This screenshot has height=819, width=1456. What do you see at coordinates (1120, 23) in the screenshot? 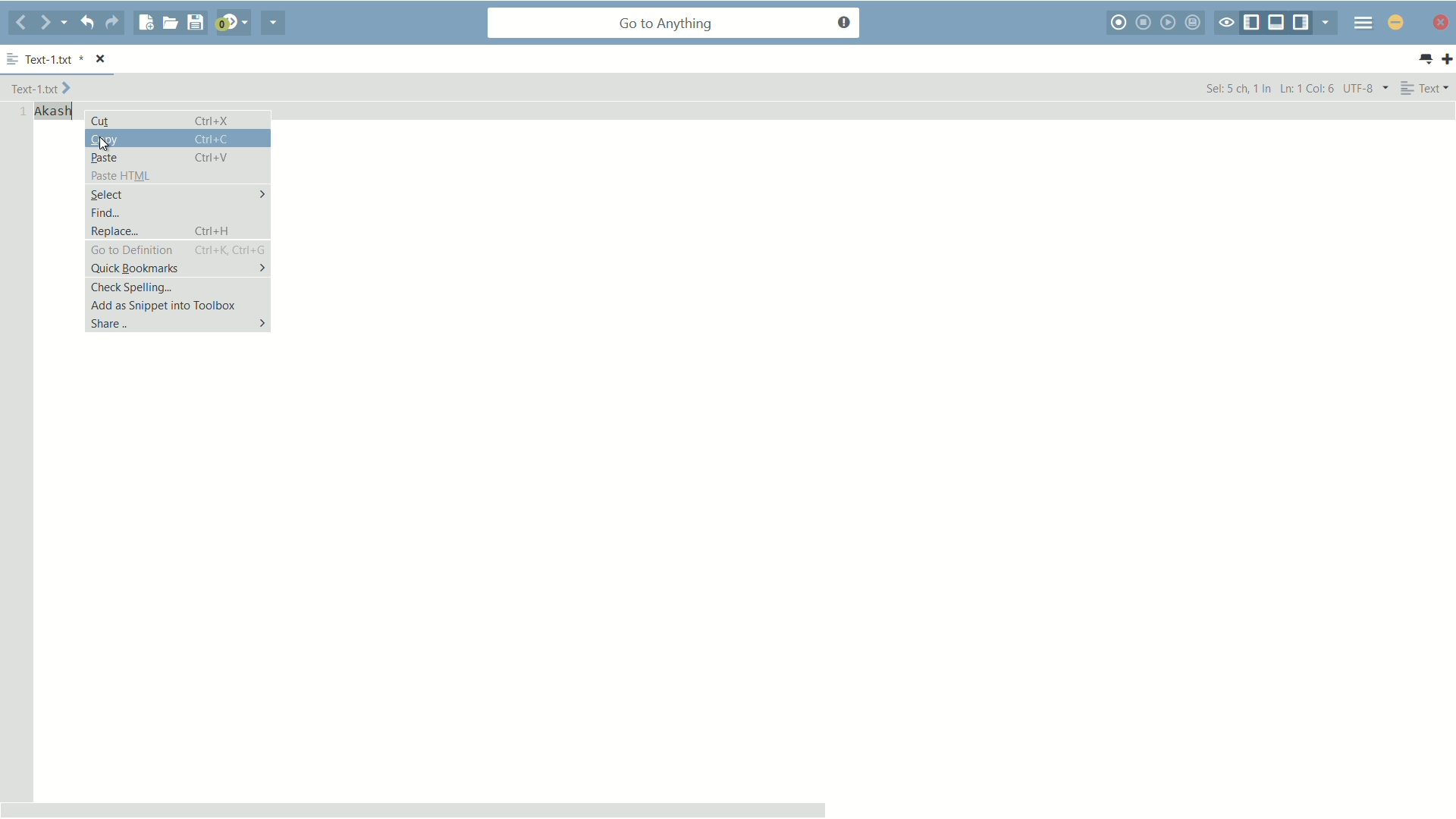
I see `record macro` at bounding box center [1120, 23].